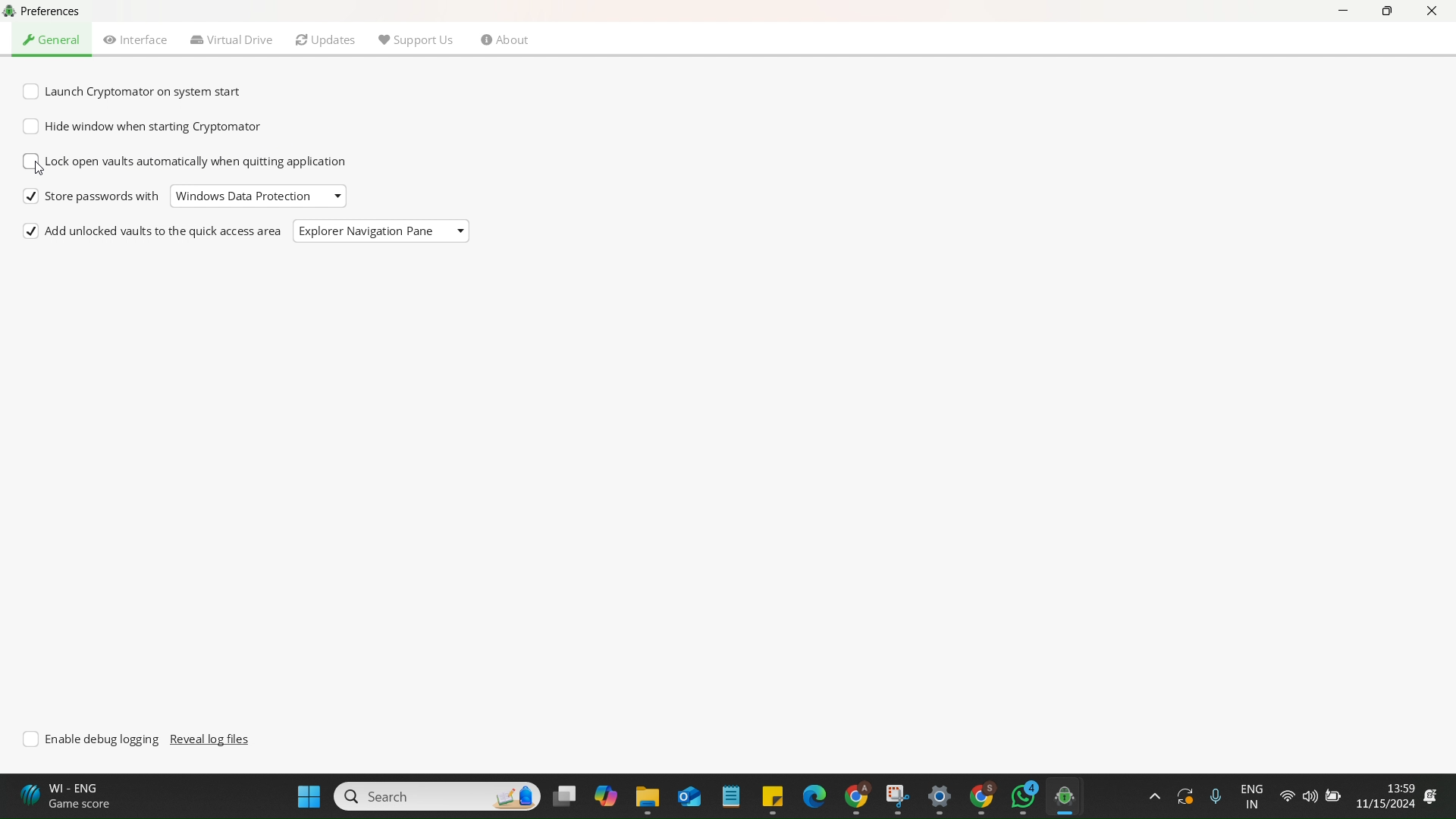 Image resolution: width=1456 pixels, height=819 pixels. Describe the element at coordinates (1308, 797) in the screenshot. I see `Volume` at that location.